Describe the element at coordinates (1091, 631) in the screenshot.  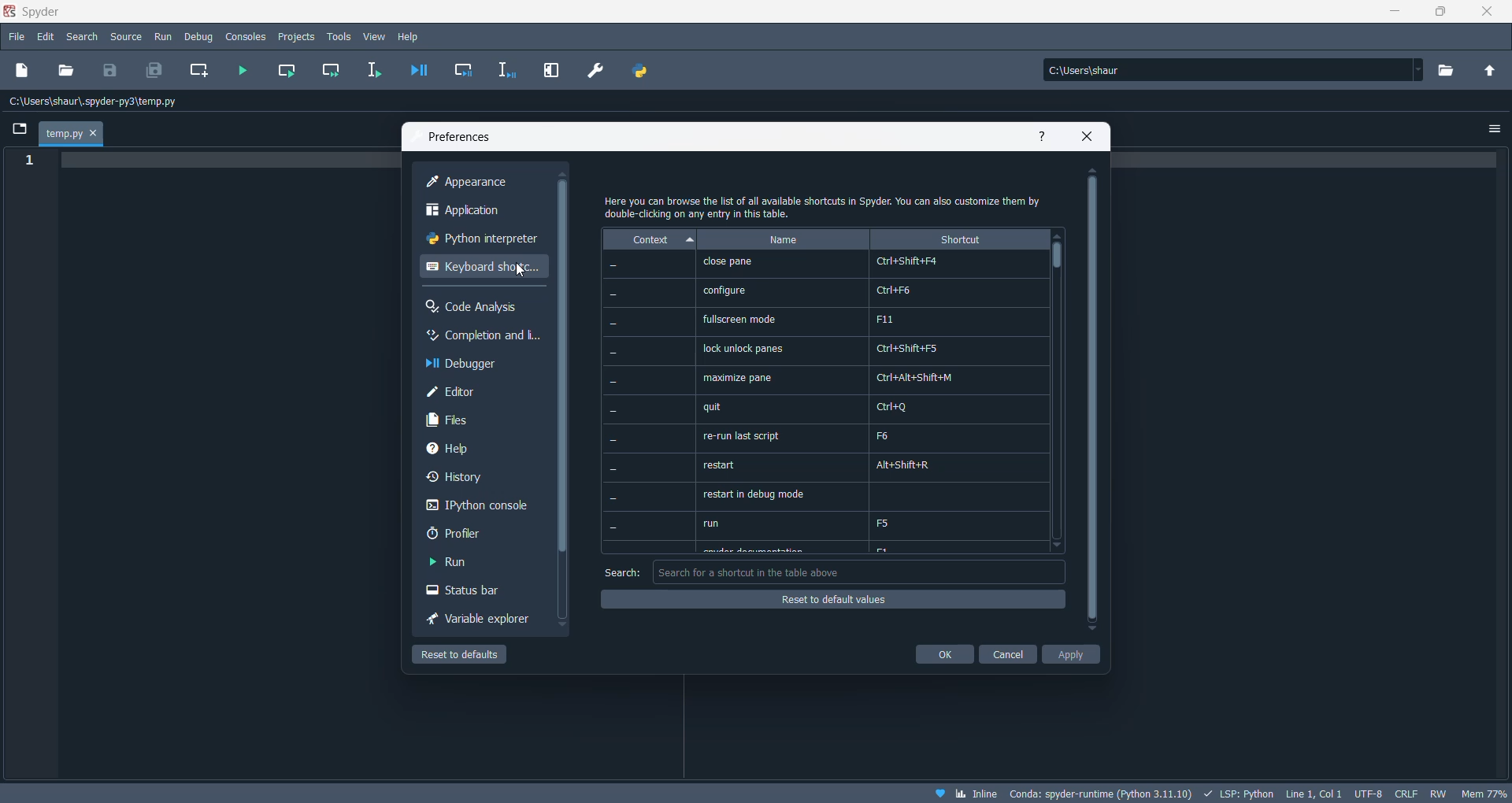
I see `move down` at that location.